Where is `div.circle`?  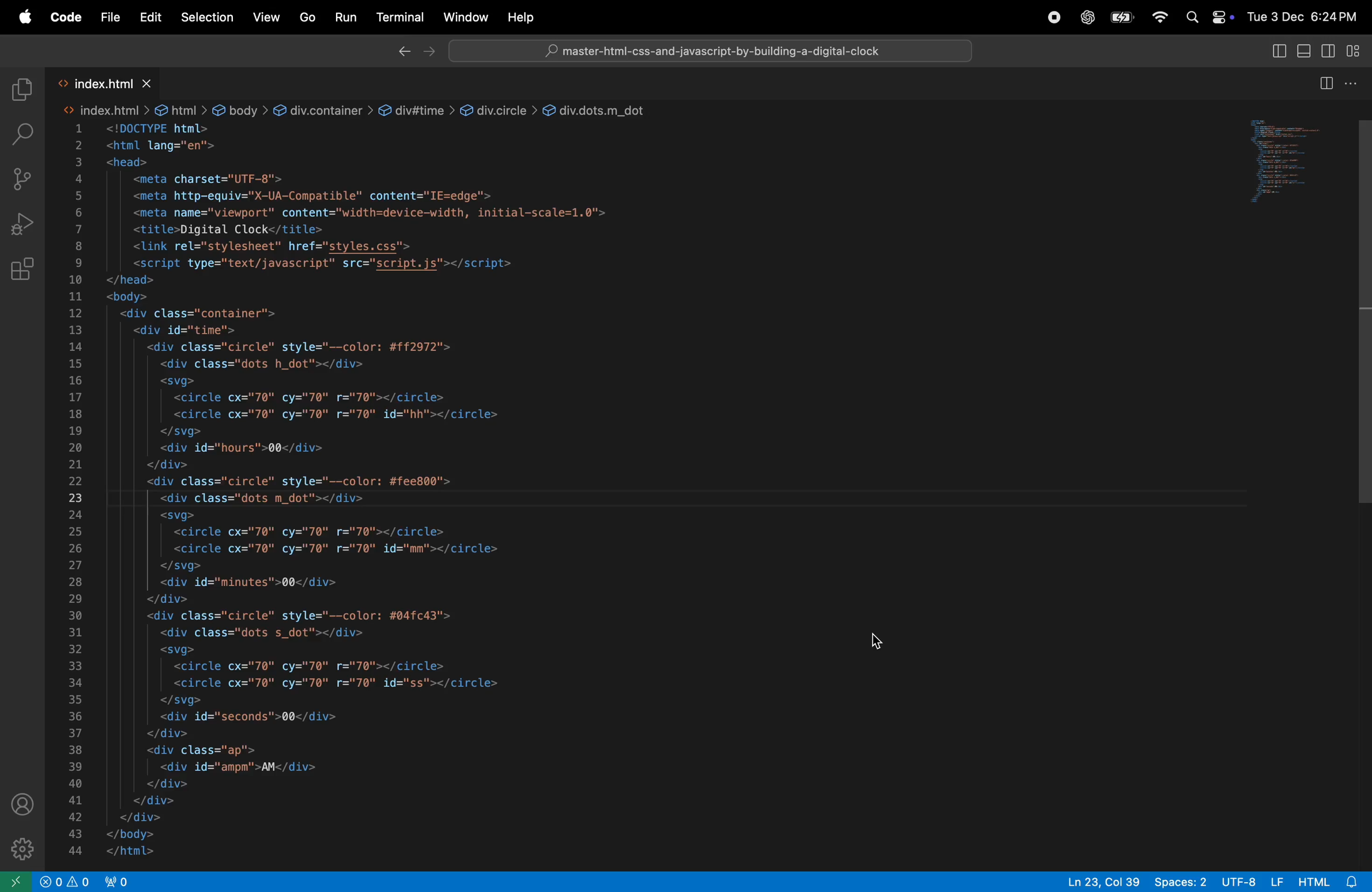 div.circle is located at coordinates (497, 109).